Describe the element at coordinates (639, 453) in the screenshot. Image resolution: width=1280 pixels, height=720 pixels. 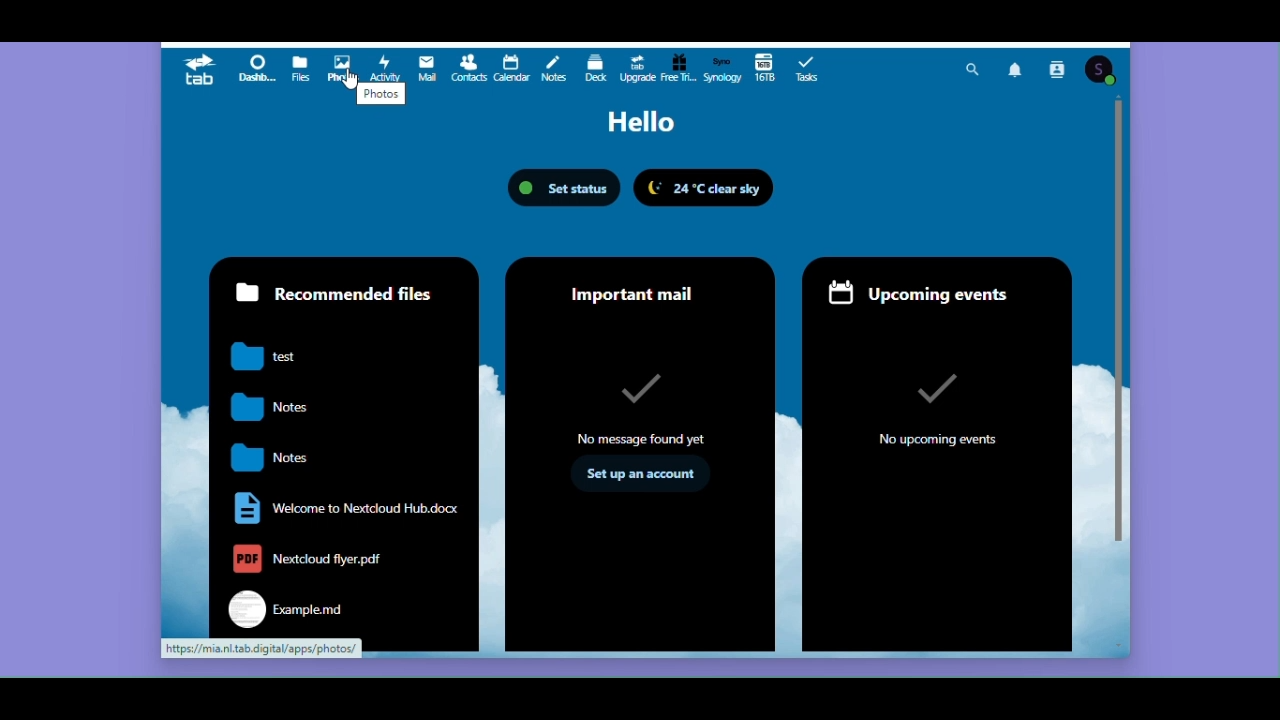
I see `Important mail` at that location.